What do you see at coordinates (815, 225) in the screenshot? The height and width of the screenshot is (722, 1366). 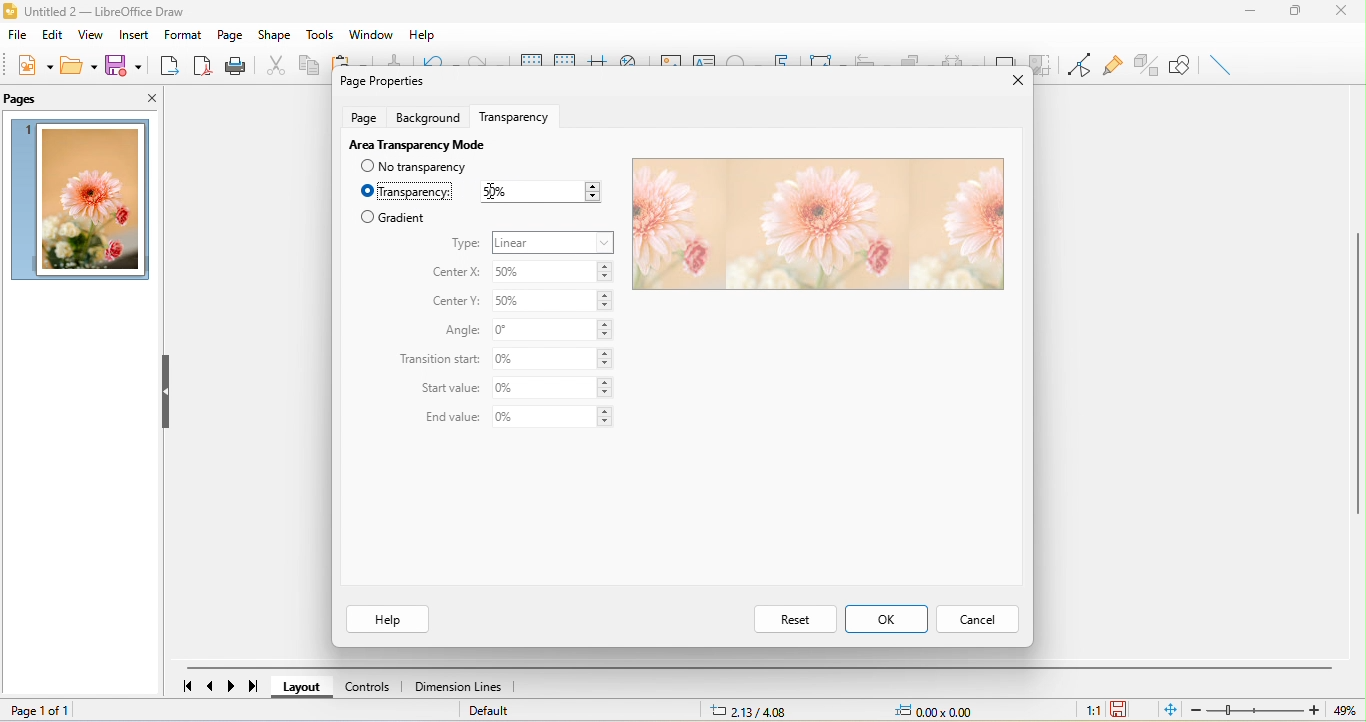 I see `image transparency` at bounding box center [815, 225].